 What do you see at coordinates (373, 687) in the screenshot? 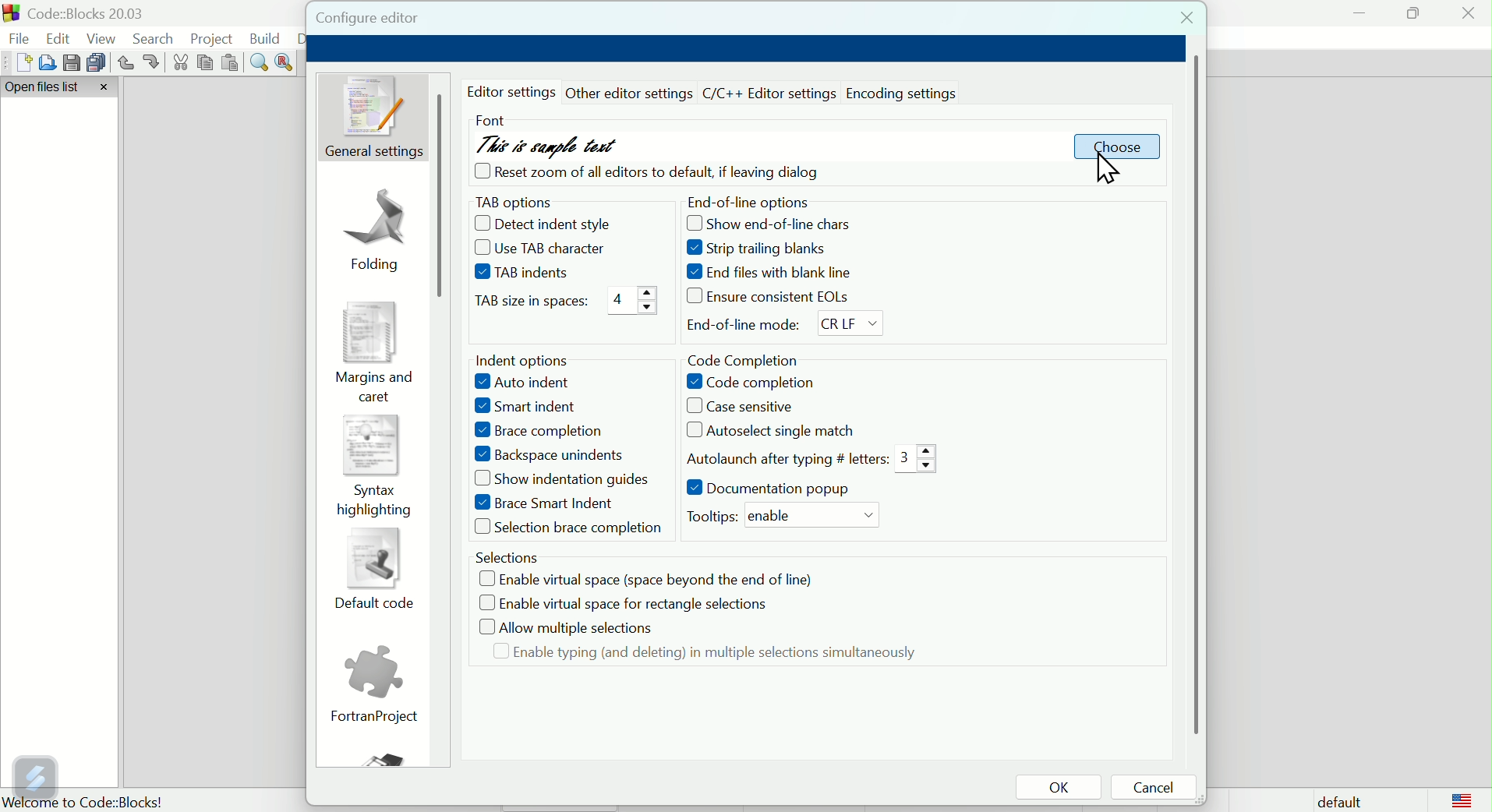
I see `Fortran project` at bounding box center [373, 687].